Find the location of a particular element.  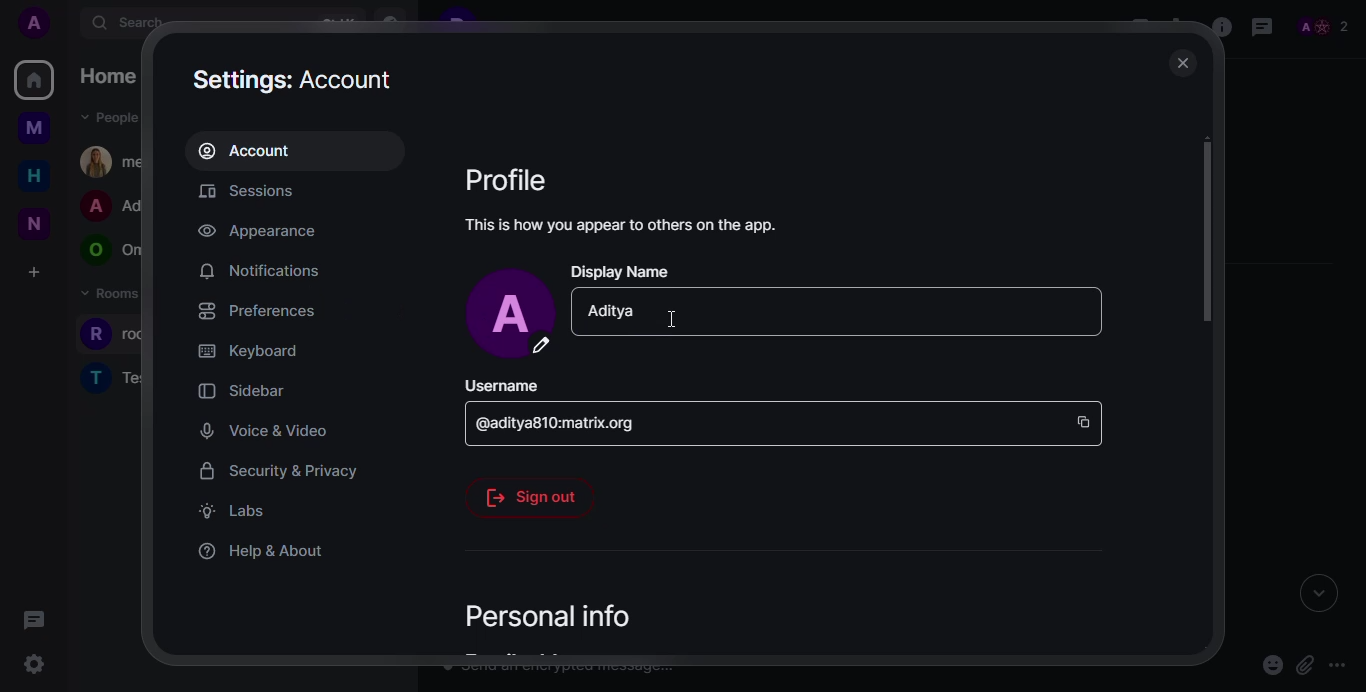

notifications is located at coordinates (261, 269).